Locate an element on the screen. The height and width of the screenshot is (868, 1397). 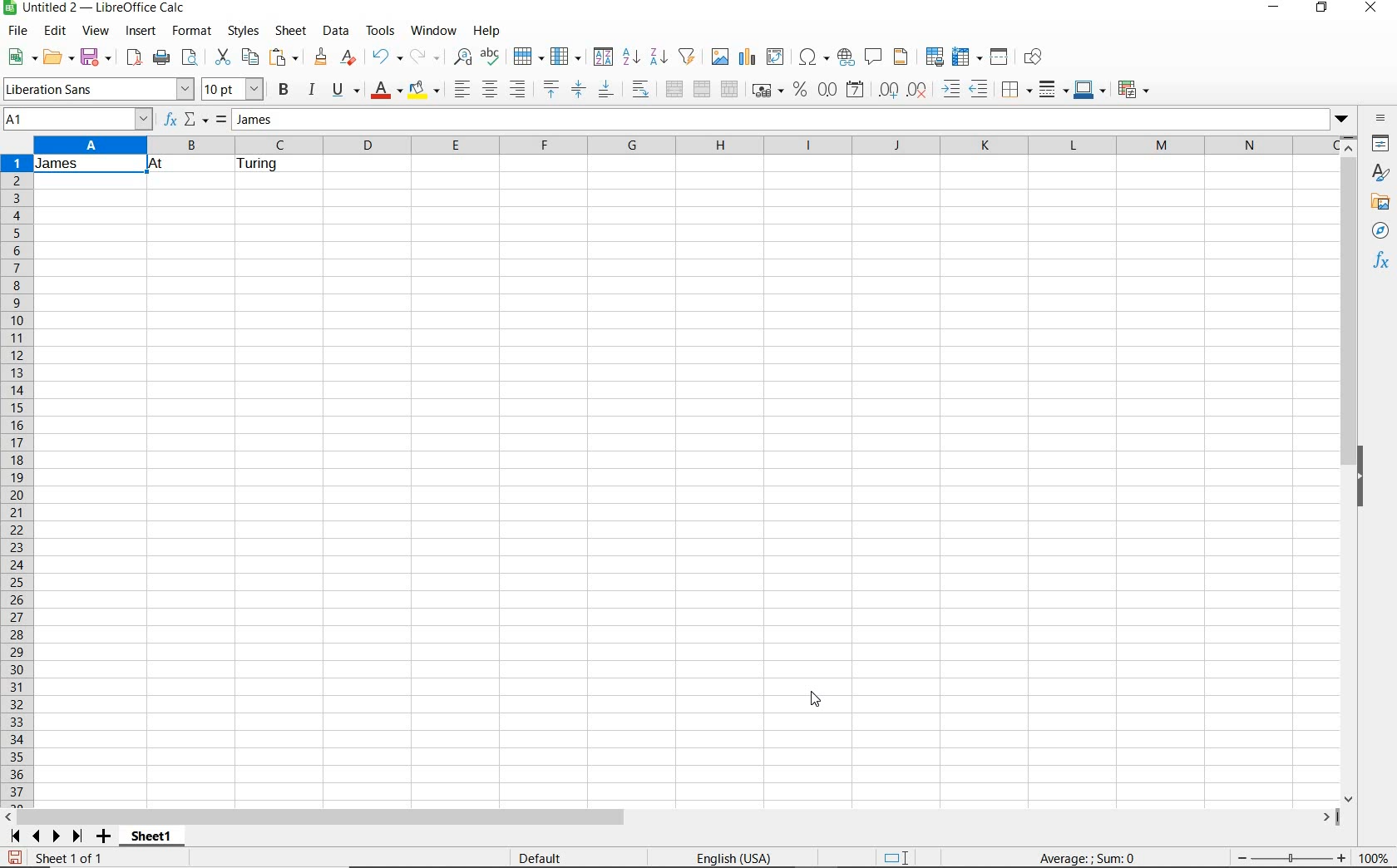
print is located at coordinates (161, 58).